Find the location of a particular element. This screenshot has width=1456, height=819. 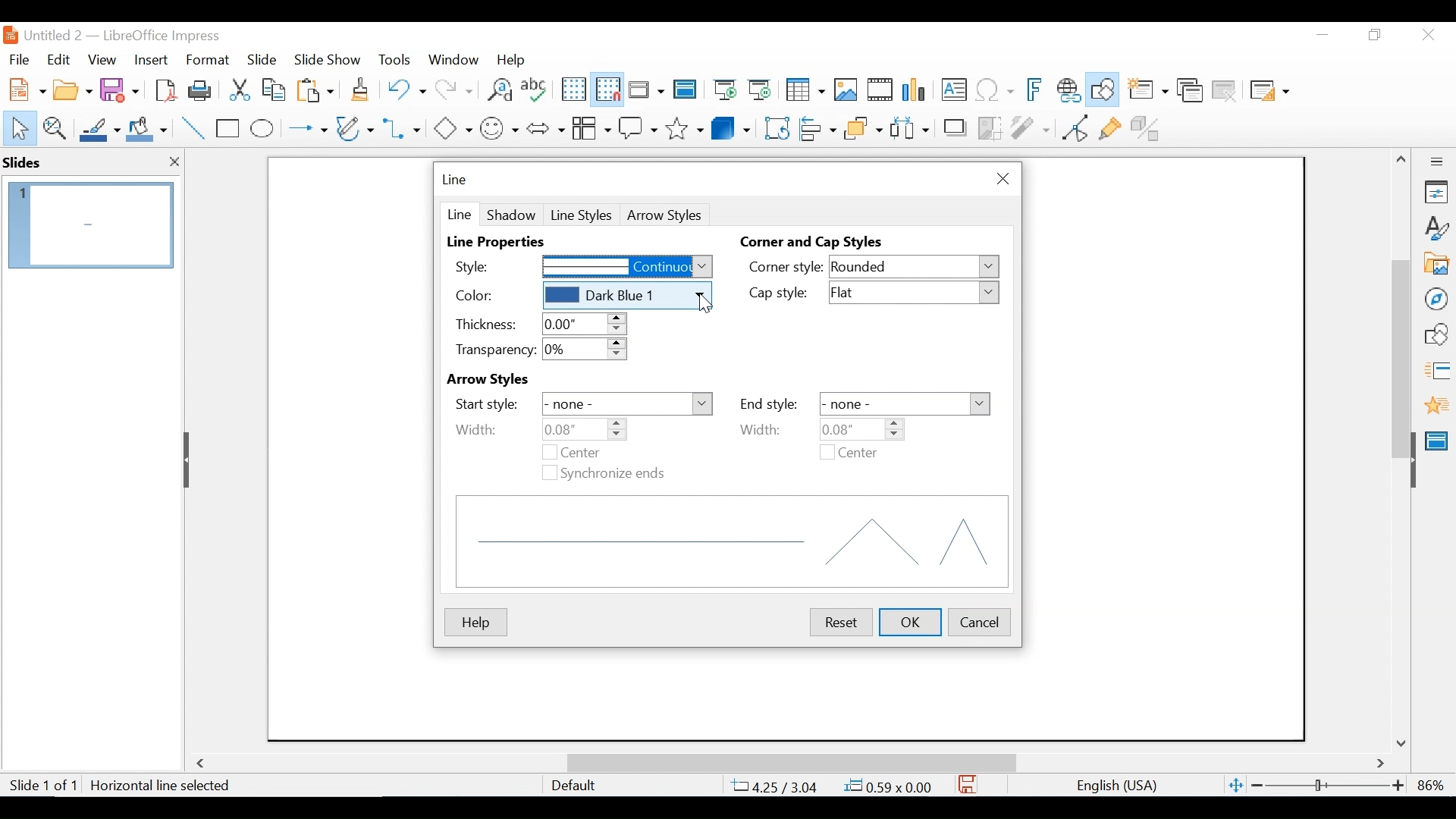

Export as PDF is located at coordinates (165, 89).